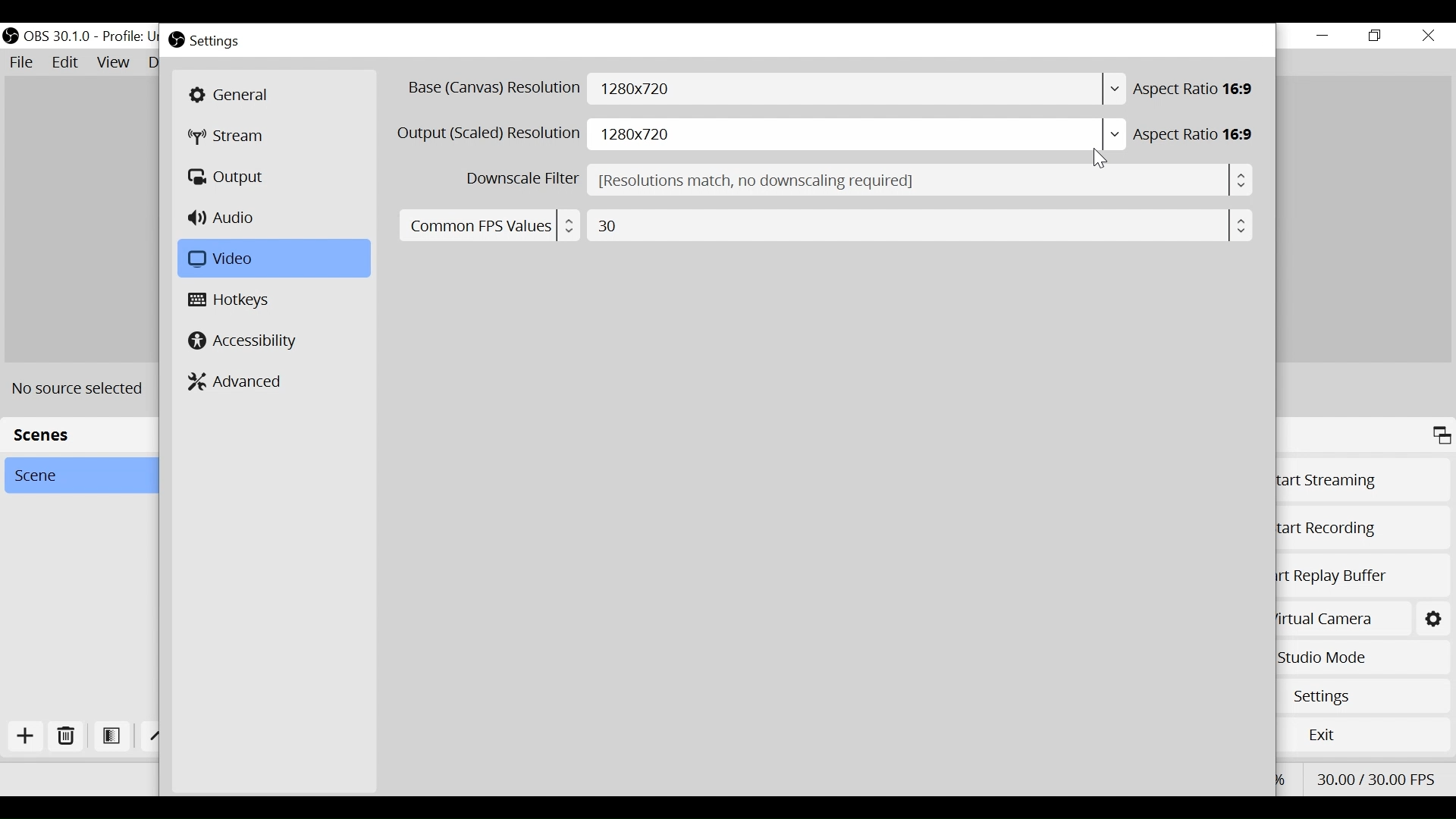 The image size is (1456, 819). Describe the element at coordinates (857, 89) in the screenshot. I see `1920x 1080` at that location.